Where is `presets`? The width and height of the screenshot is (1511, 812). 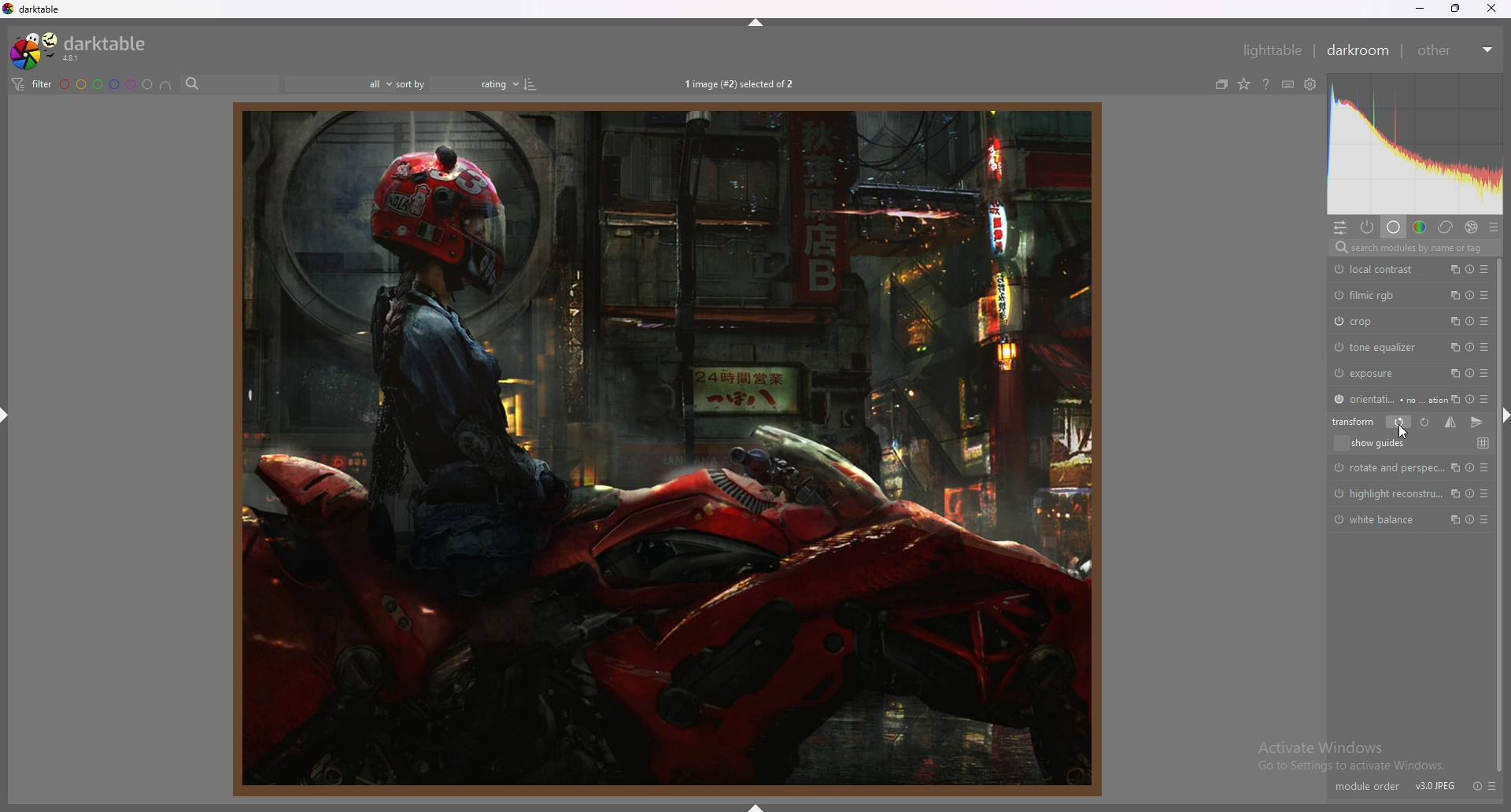 presets is located at coordinates (1487, 519).